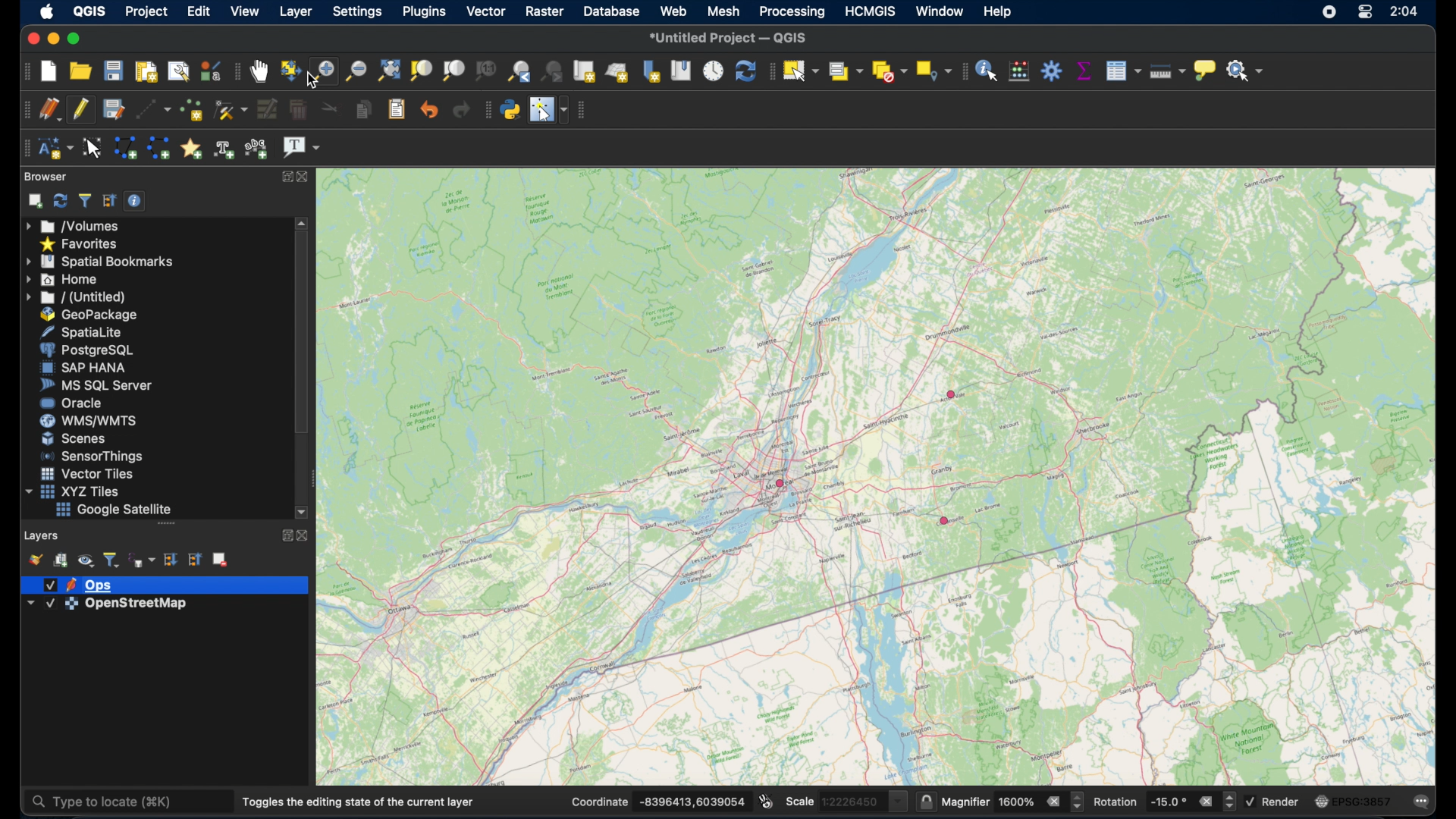 Image resolution: width=1456 pixels, height=819 pixels. Describe the element at coordinates (106, 801) in the screenshot. I see `type to locate` at that location.